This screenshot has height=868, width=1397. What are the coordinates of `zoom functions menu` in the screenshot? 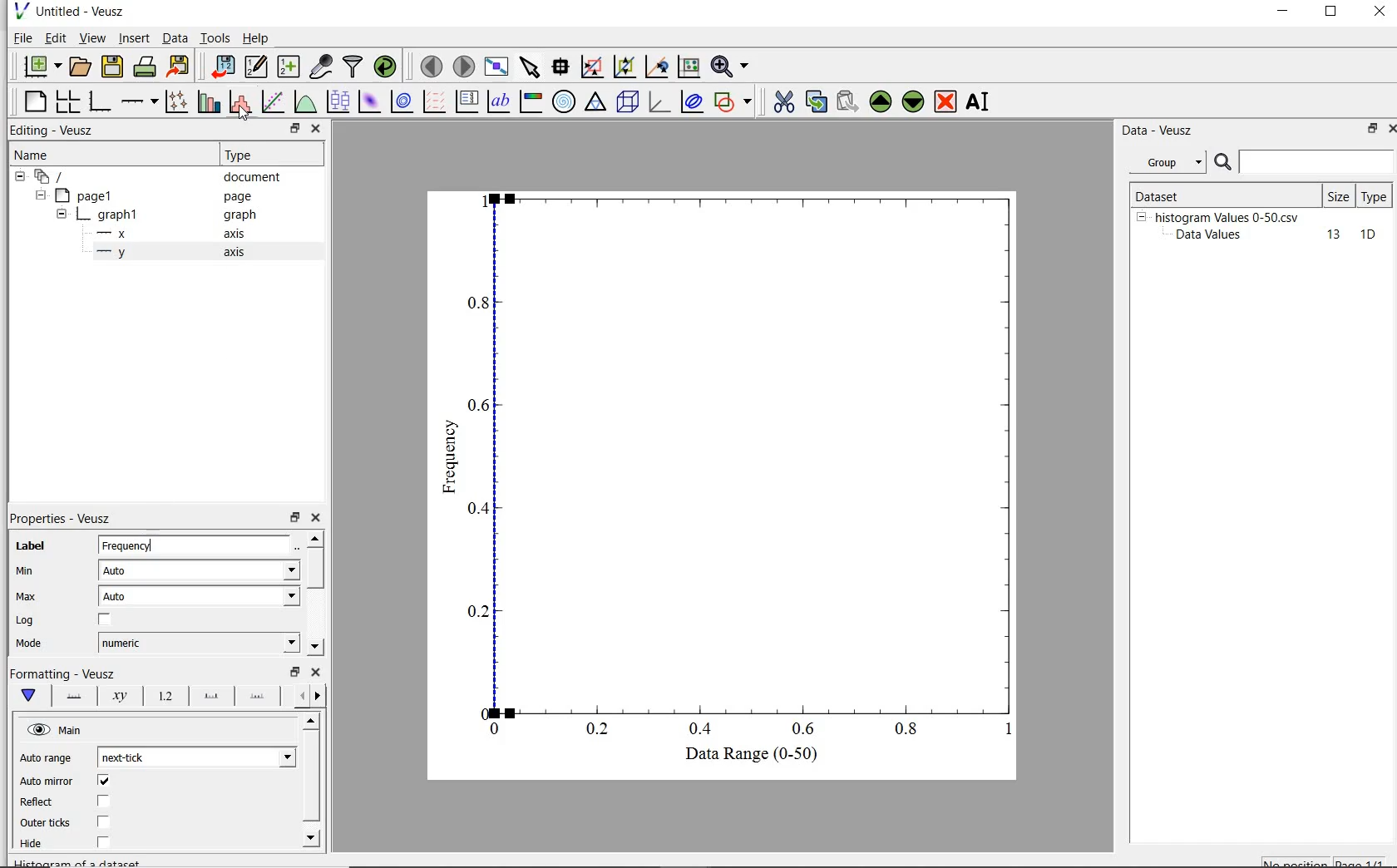 It's located at (730, 67).